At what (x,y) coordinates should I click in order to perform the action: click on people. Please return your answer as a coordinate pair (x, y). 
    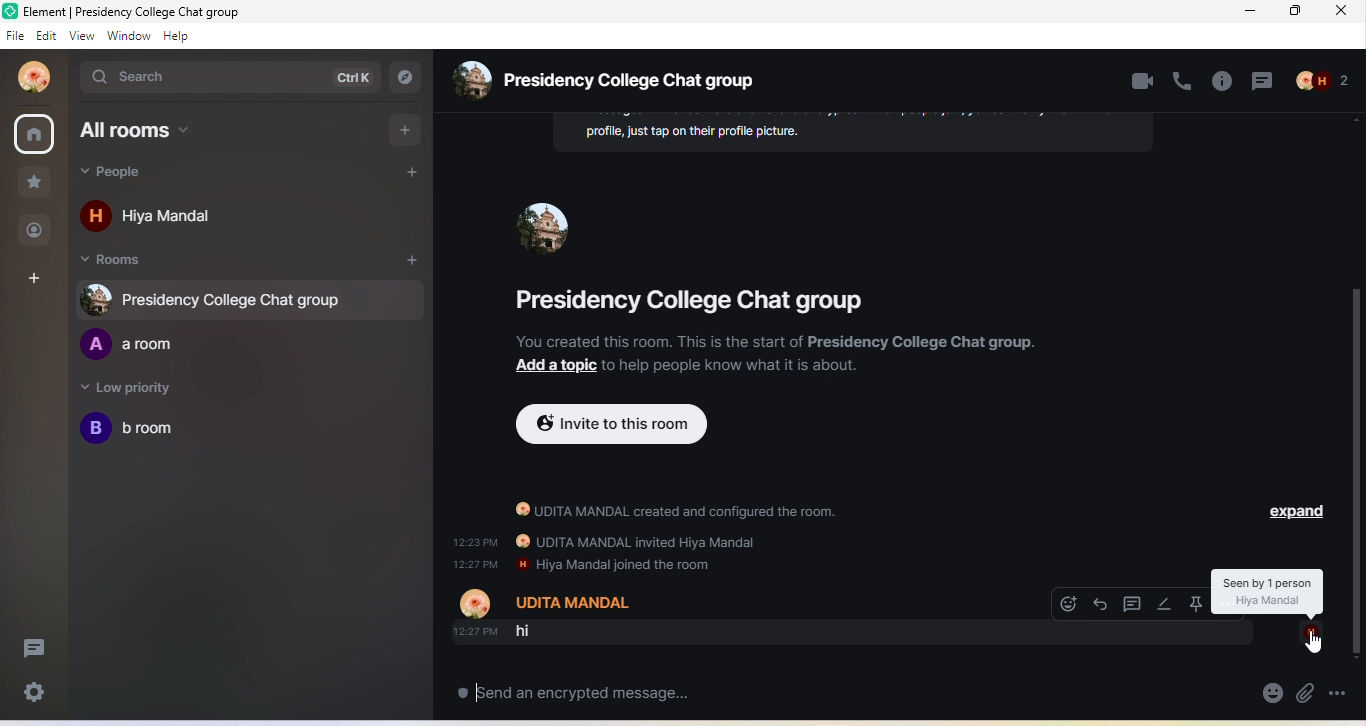
    Looking at the image, I should click on (129, 175).